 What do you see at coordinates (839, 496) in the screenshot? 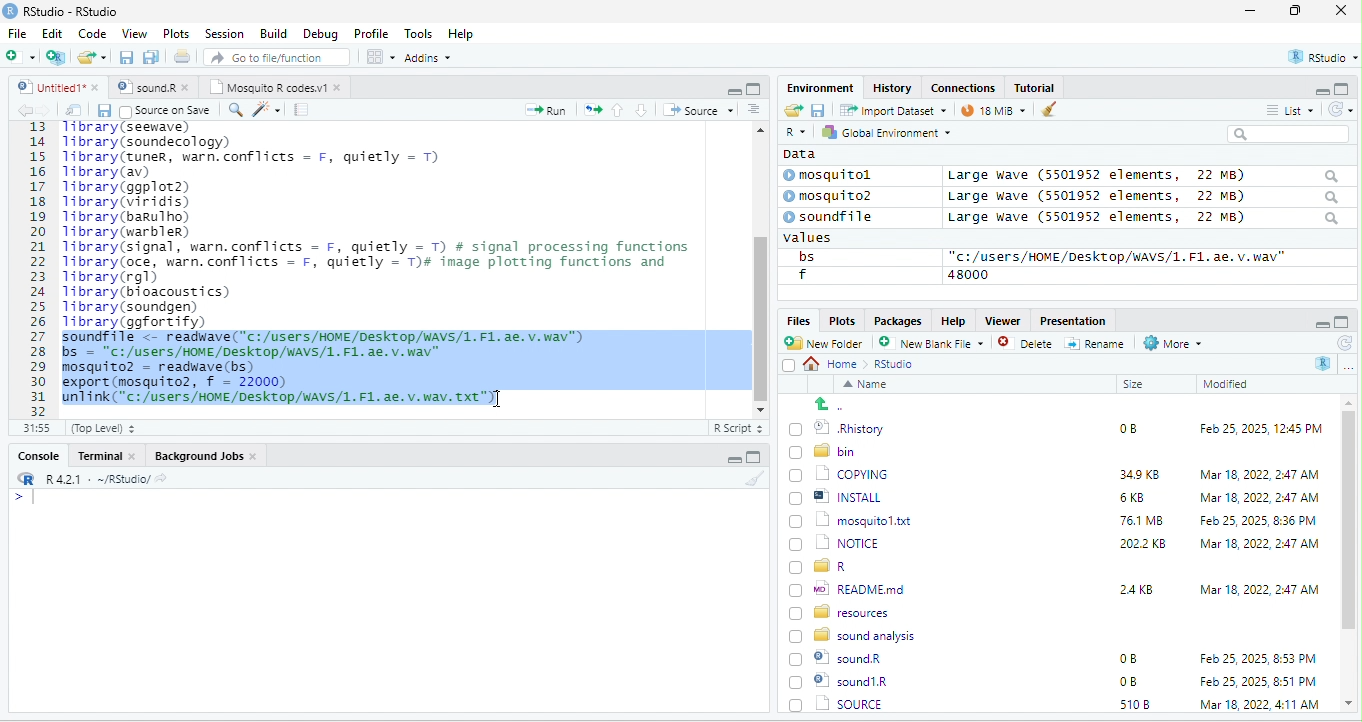
I see `| @] INSTALL` at bounding box center [839, 496].